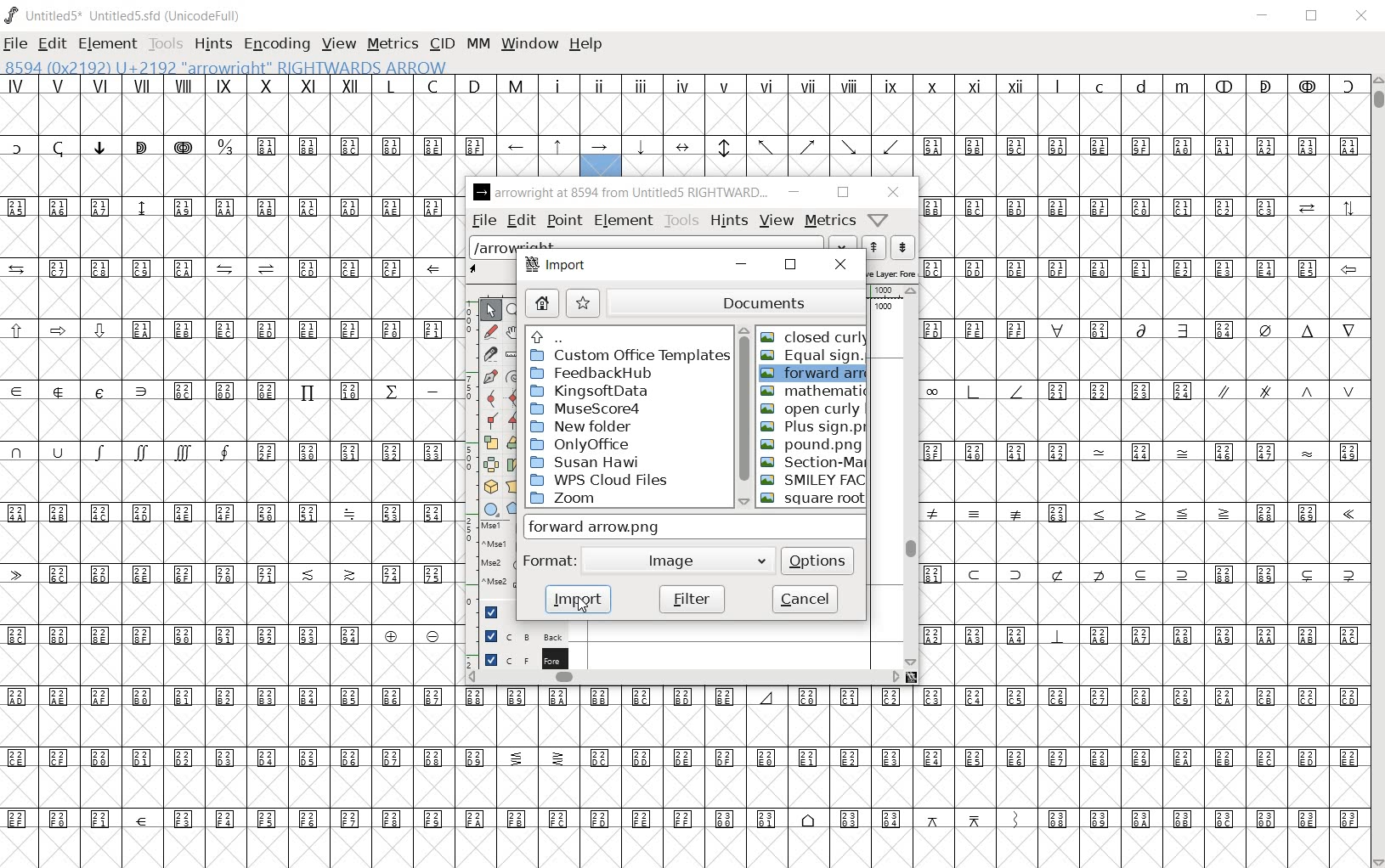 The width and height of the screenshot is (1385, 868). Describe the element at coordinates (902, 247) in the screenshot. I see `show the previous word on the list` at that location.